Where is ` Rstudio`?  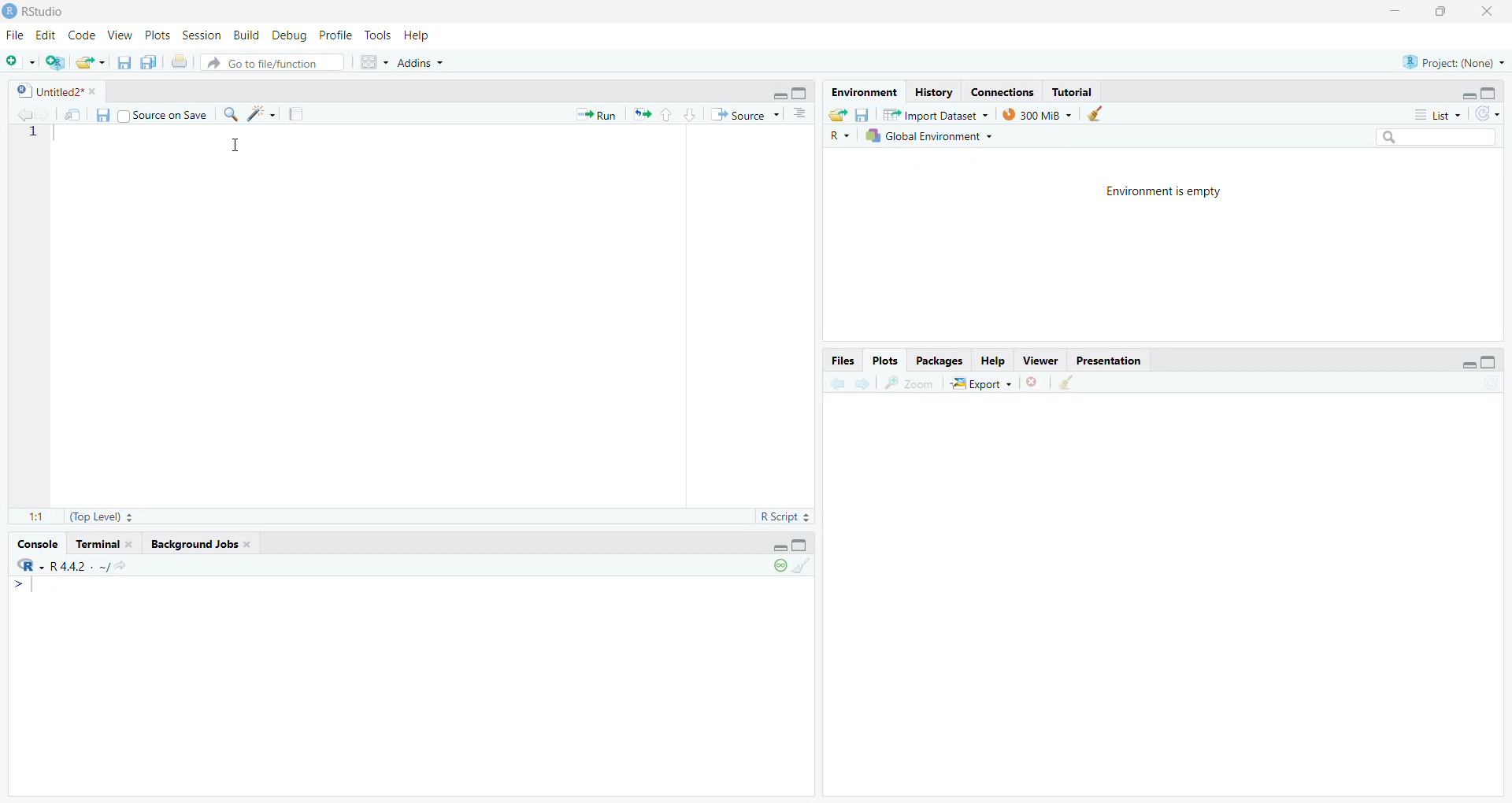  Rstudio is located at coordinates (35, 12).